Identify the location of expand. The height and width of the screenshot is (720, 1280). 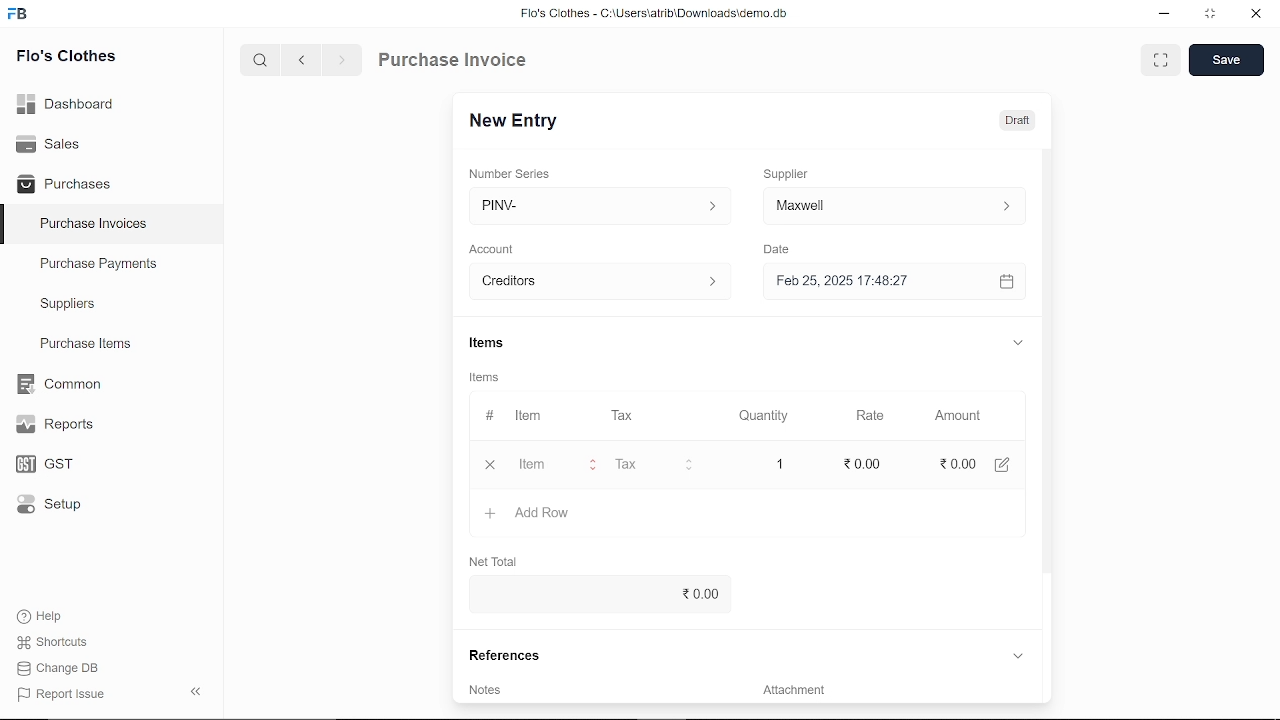
(1017, 655).